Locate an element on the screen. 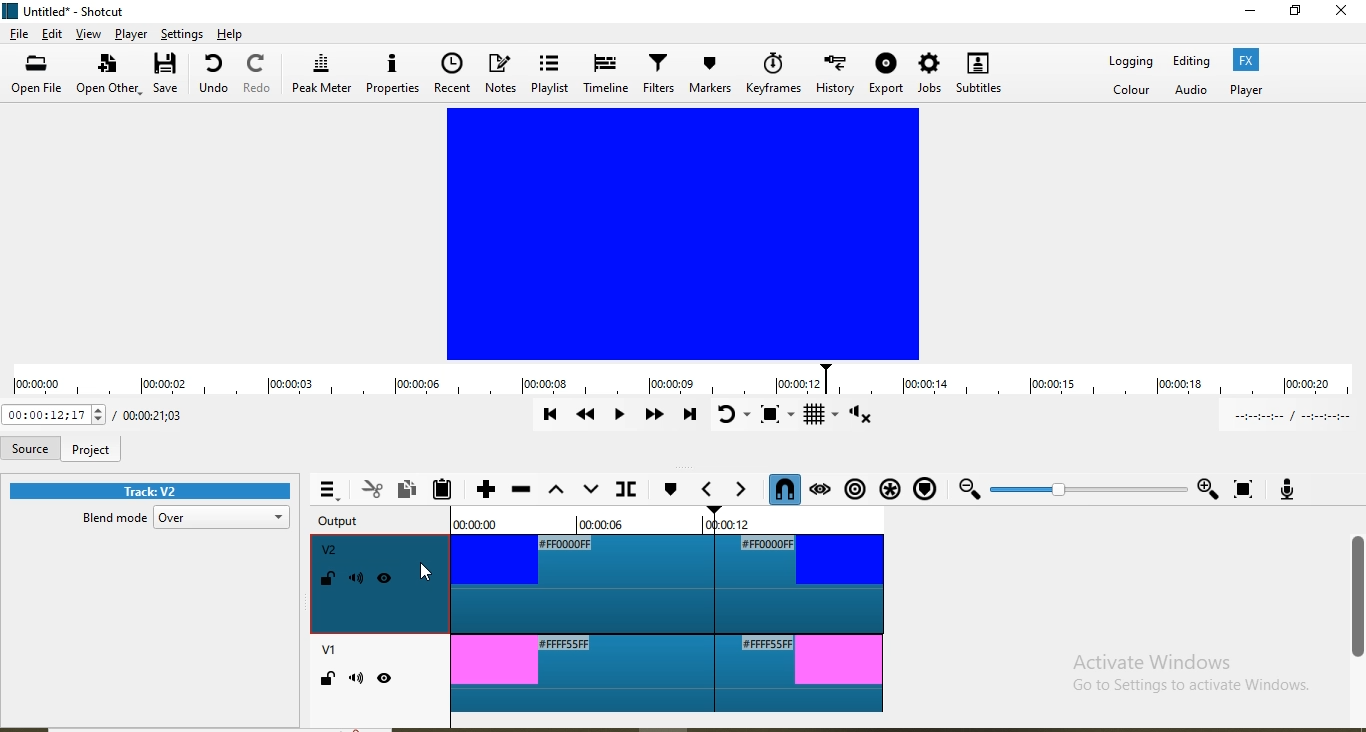  Time markers is located at coordinates (668, 523).